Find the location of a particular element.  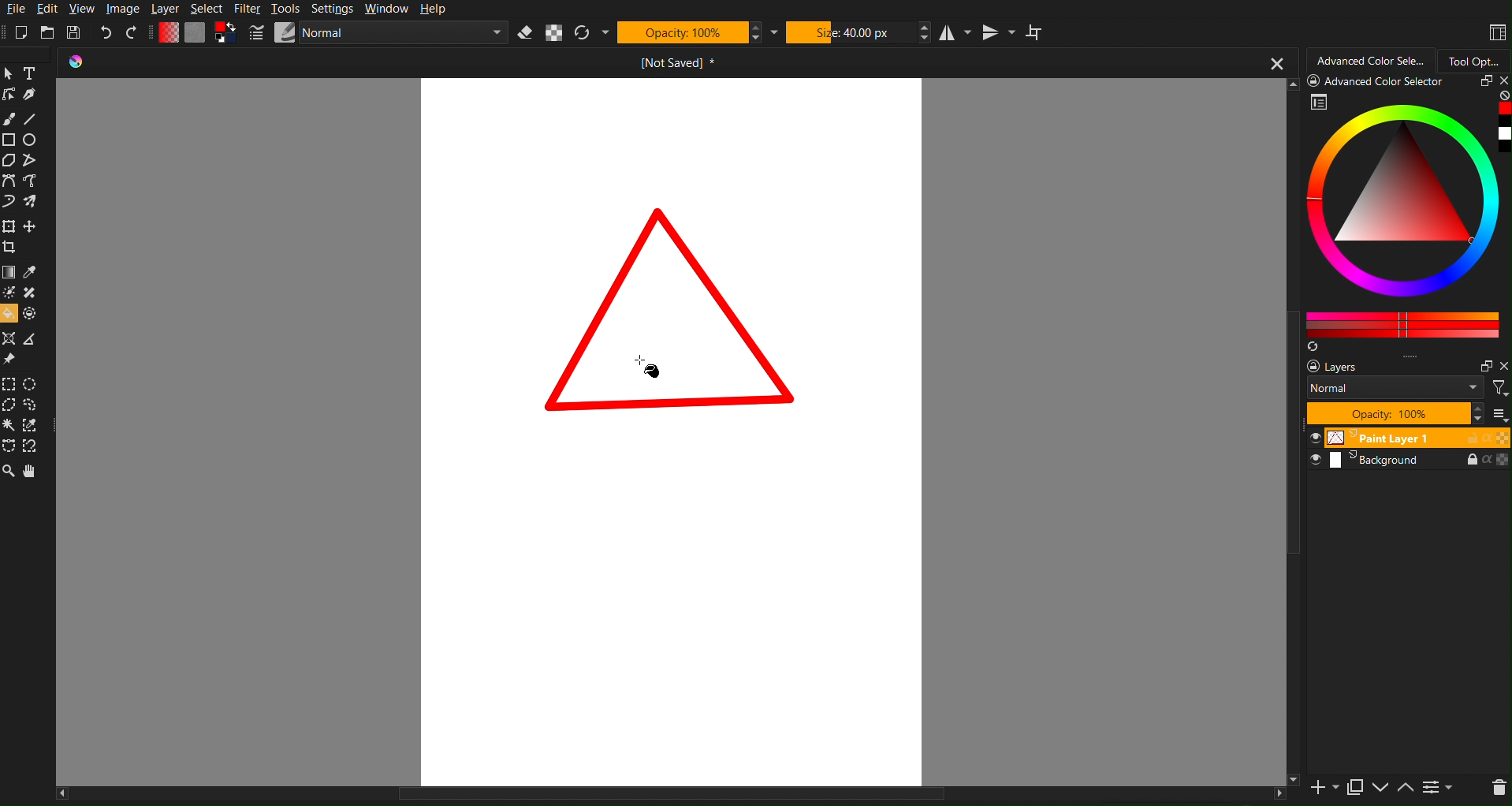

layers is located at coordinates (1349, 368).